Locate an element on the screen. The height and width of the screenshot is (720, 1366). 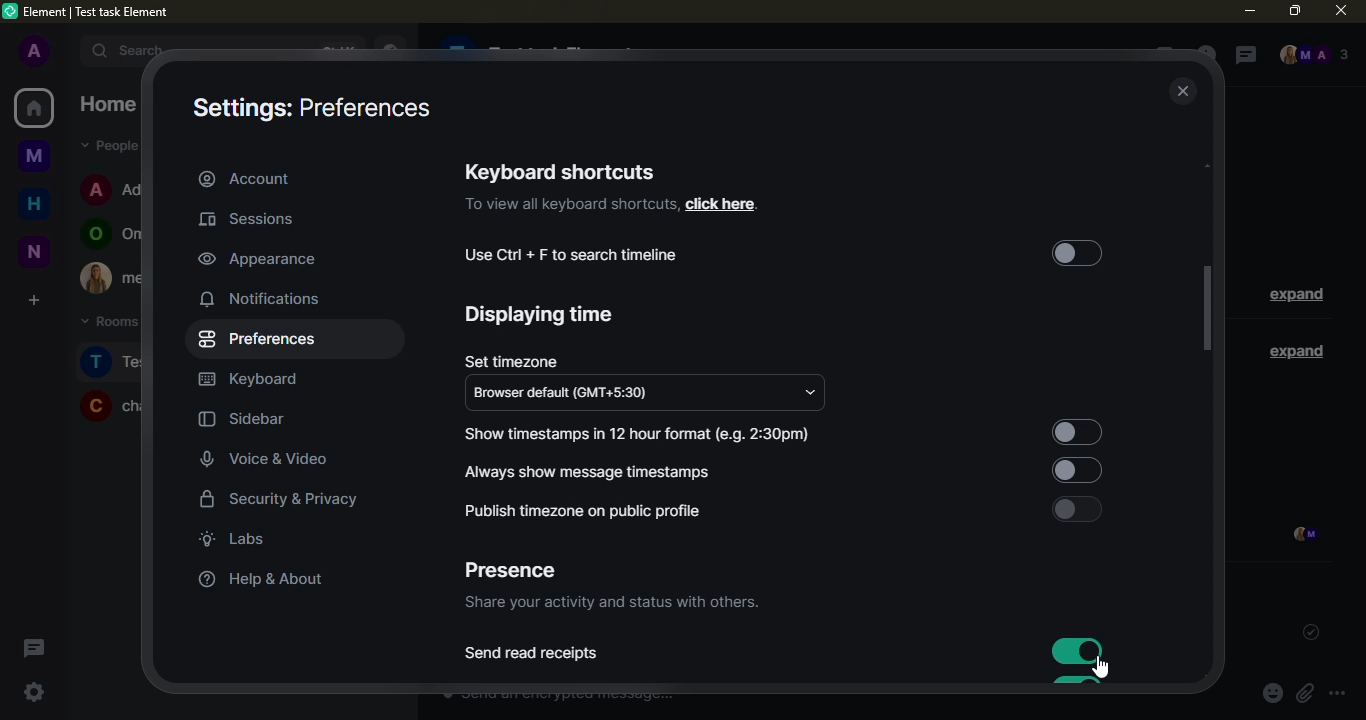
close is located at coordinates (1184, 92).